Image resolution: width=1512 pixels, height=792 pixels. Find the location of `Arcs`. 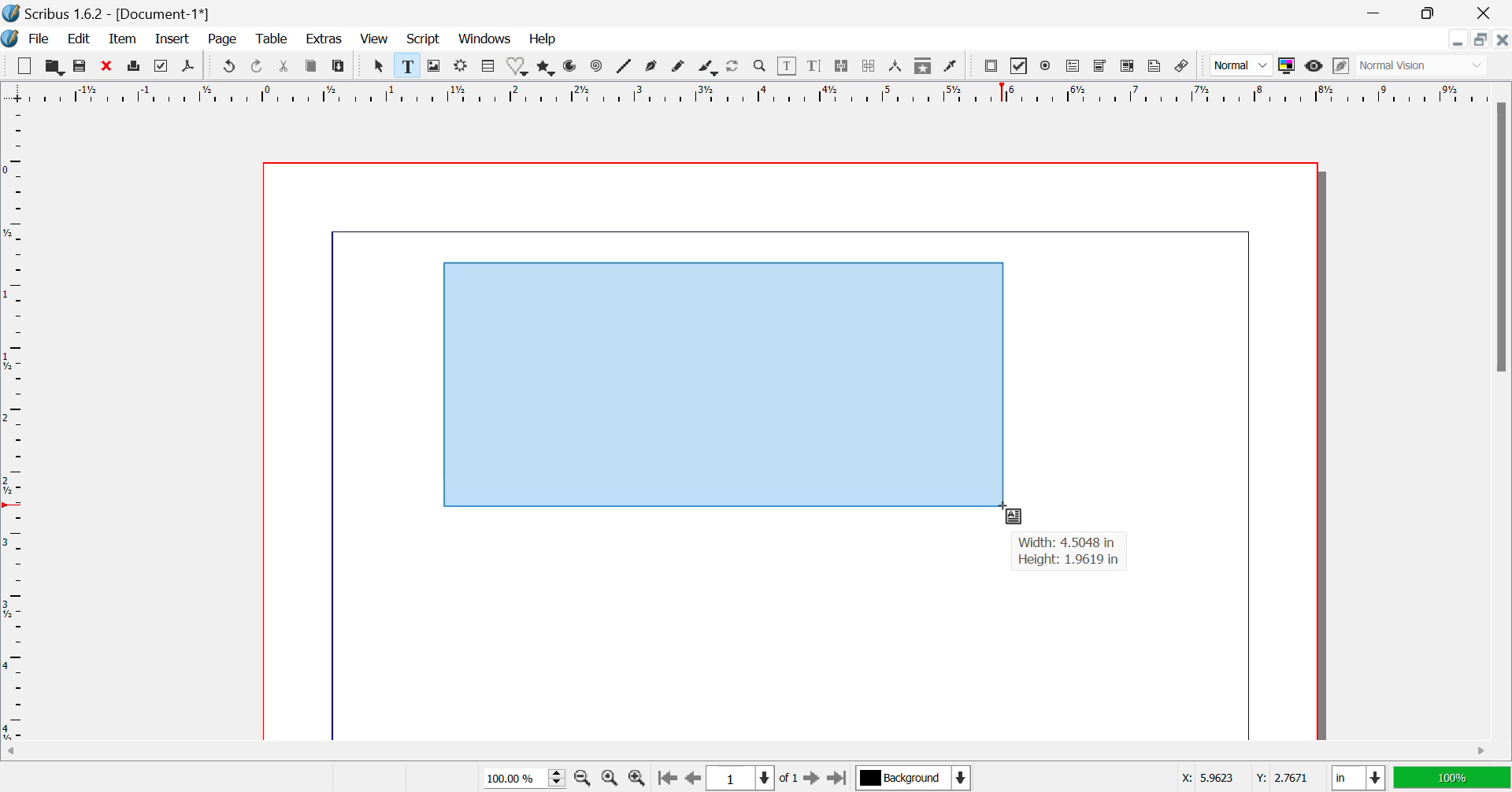

Arcs is located at coordinates (573, 68).